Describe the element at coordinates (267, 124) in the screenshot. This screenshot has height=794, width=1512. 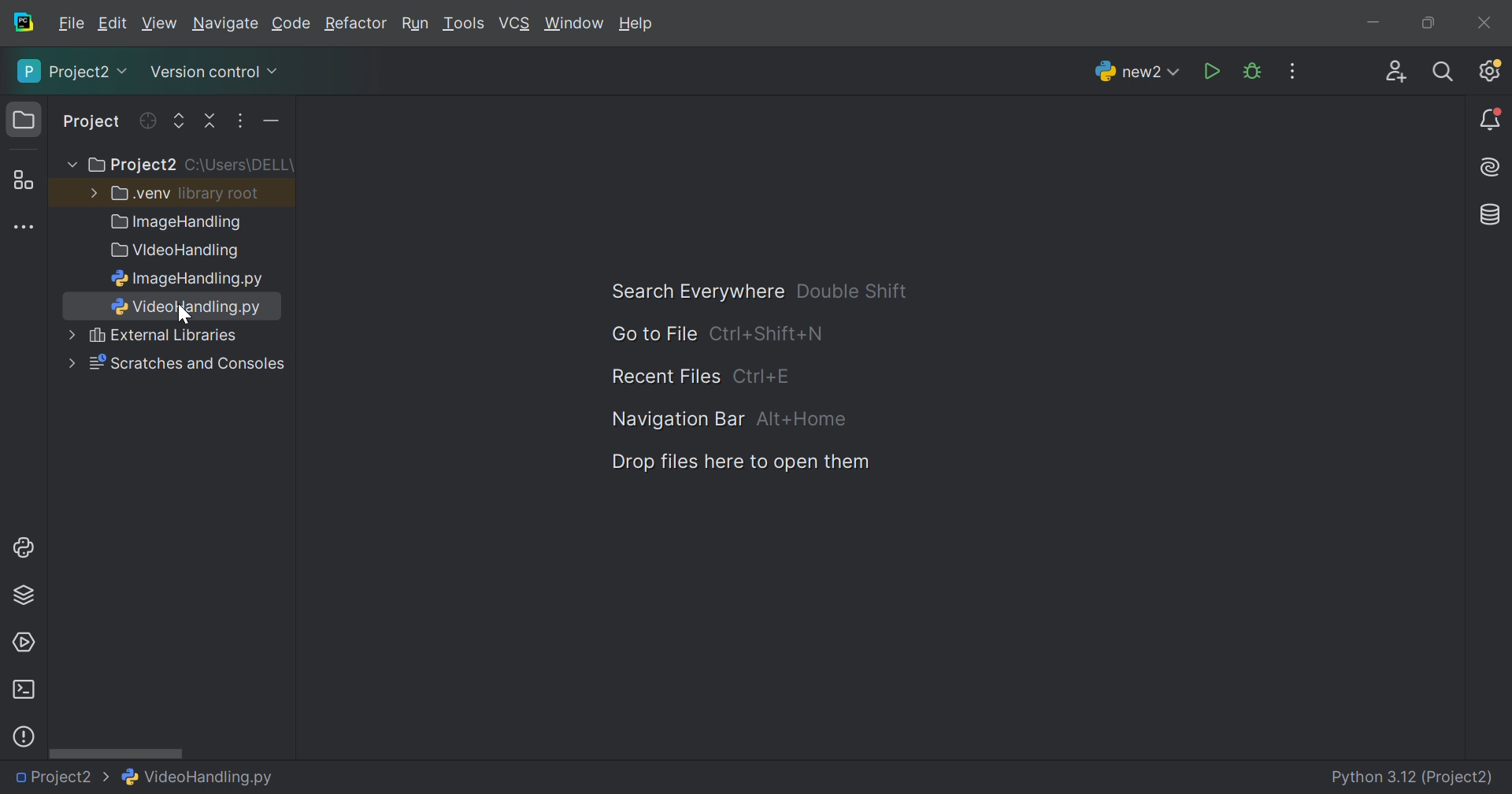
I see `More actions` at that location.